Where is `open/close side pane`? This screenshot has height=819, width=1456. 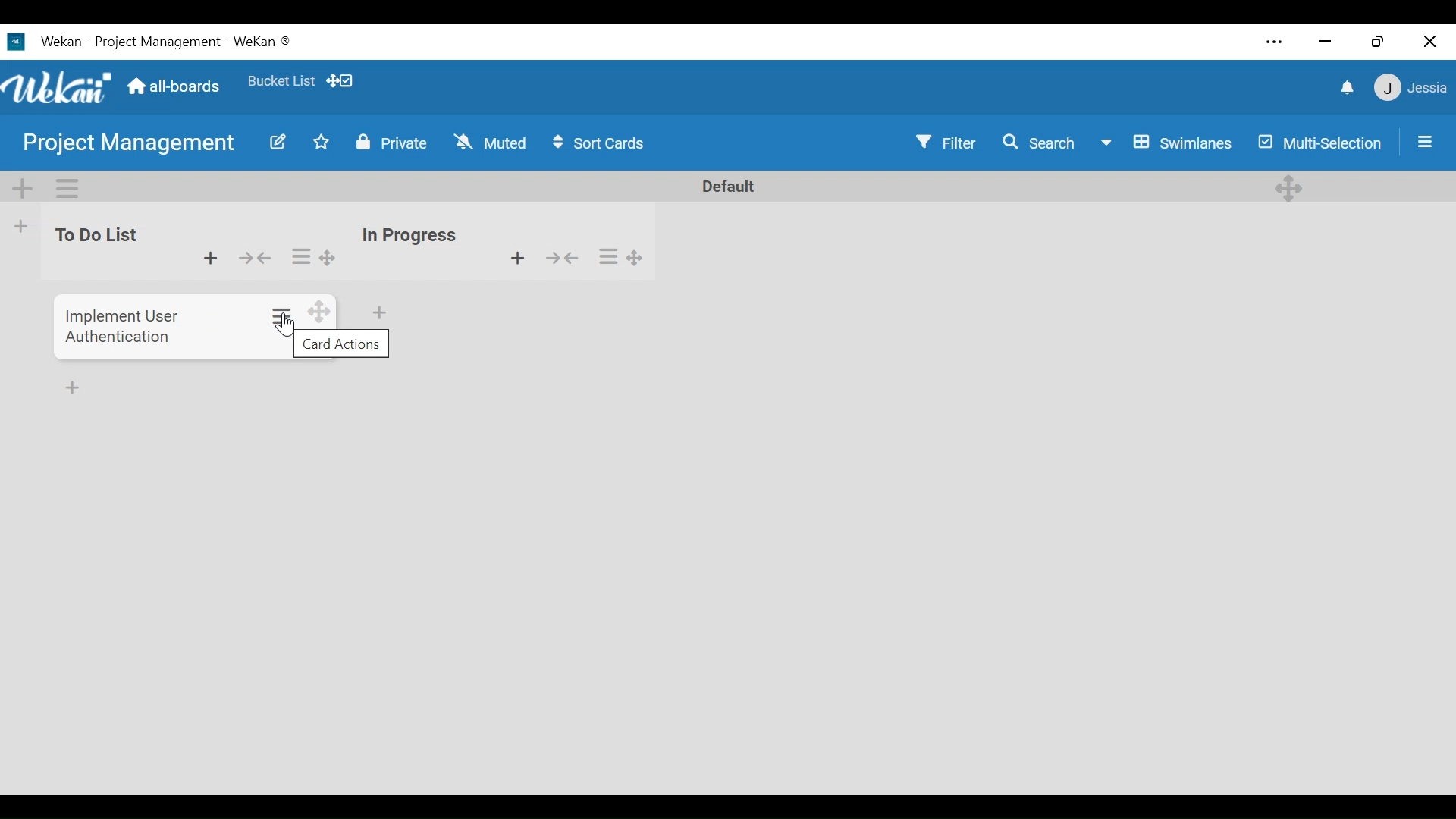 open/close side pane is located at coordinates (1426, 142).